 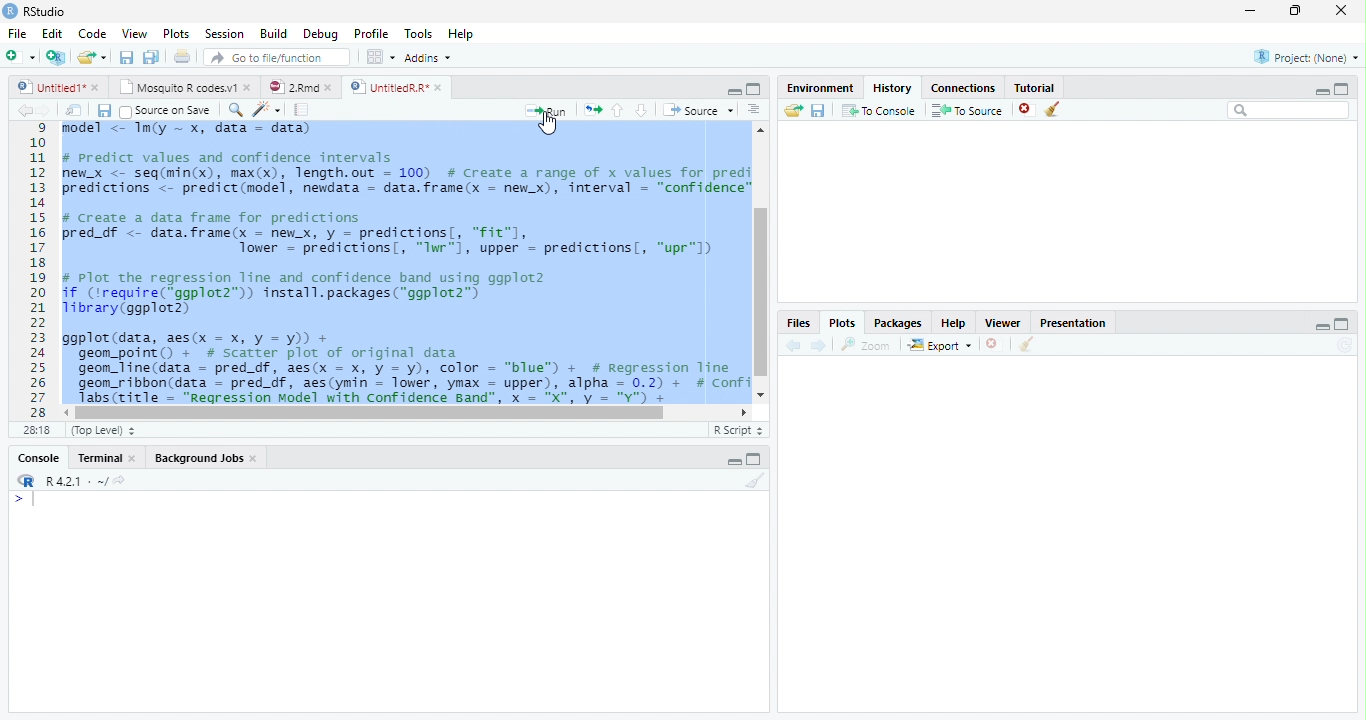 I want to click on Load workspace, so click(x=793, y=113).